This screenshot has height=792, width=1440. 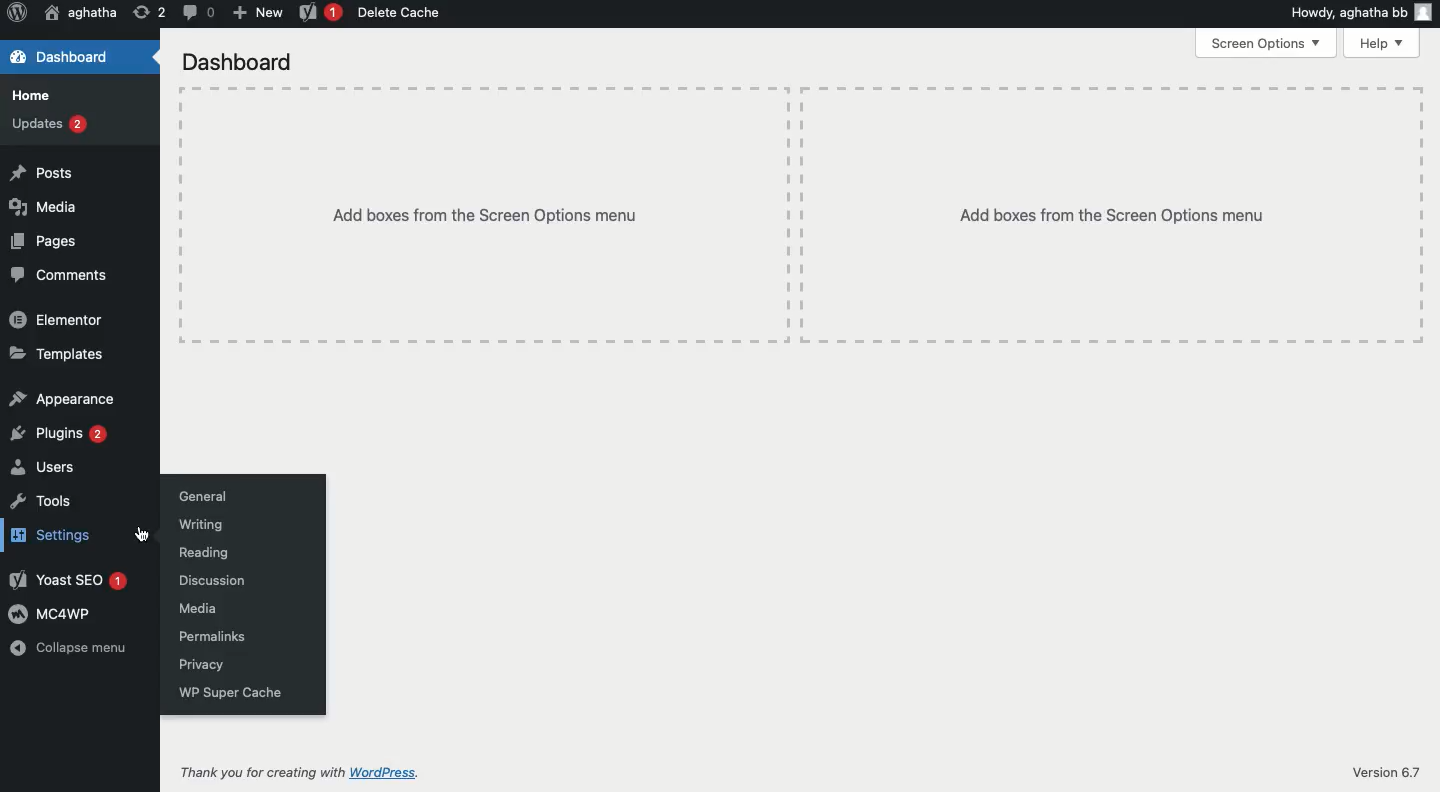 What do you see at coordinates (140, 535) in the screenshot?
I see `Cursor` at bounding box center [140, 535].